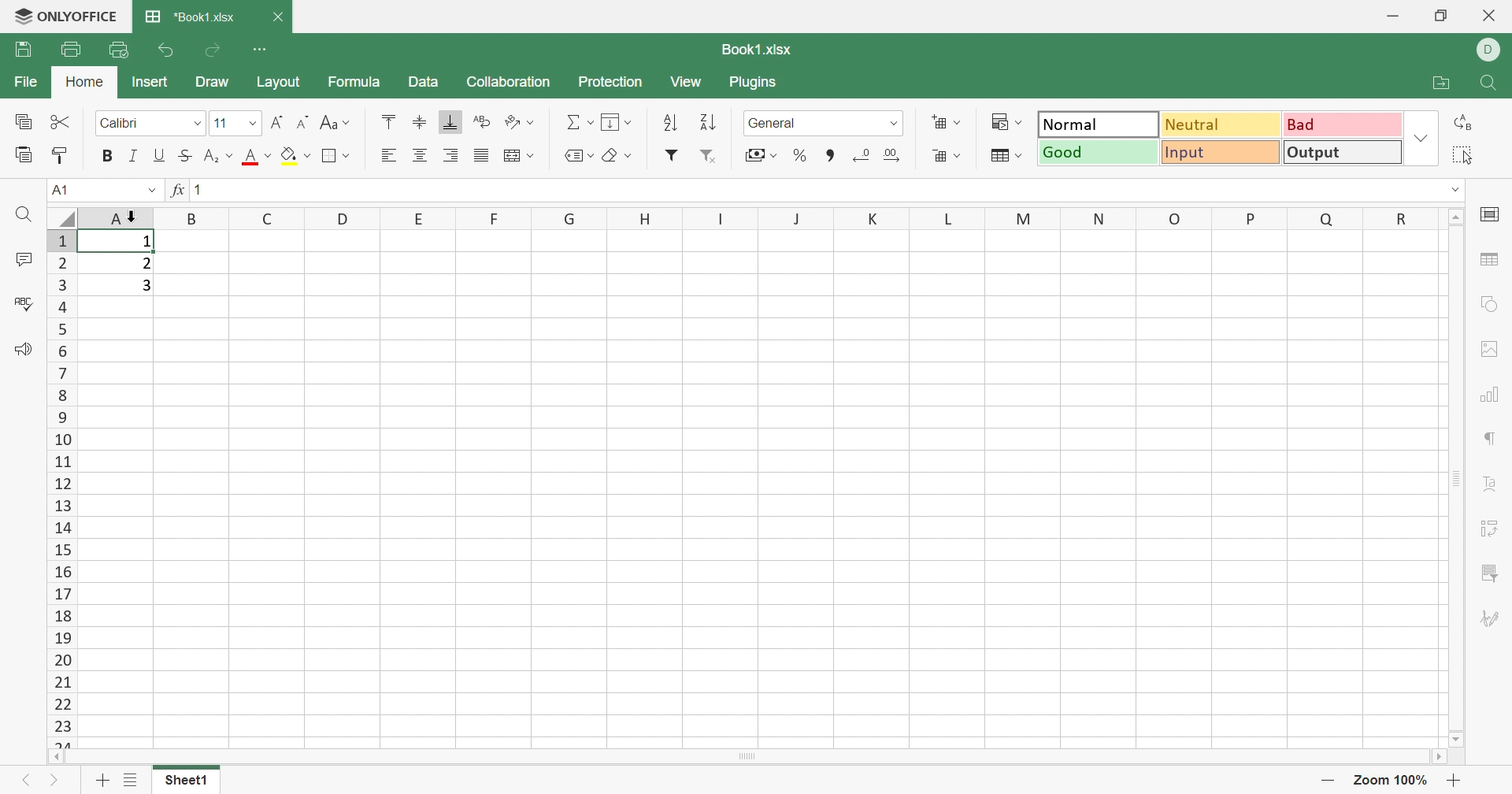 This screenshot has height=794, width=1512. I want to click on ONLYOFFICE, so click(81, 13).